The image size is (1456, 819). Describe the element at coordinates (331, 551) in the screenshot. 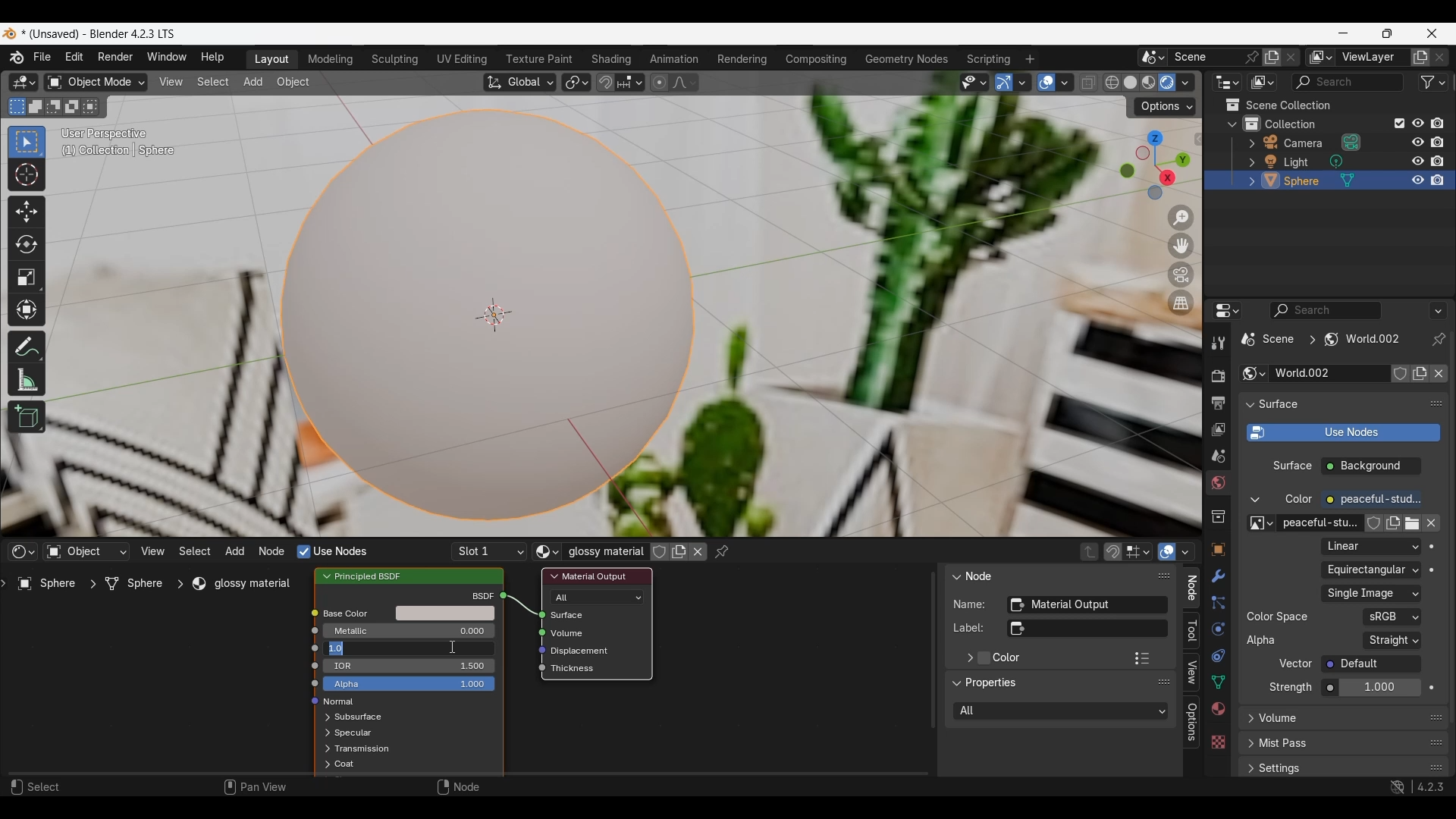

I see `Nodes to render material` at that location.